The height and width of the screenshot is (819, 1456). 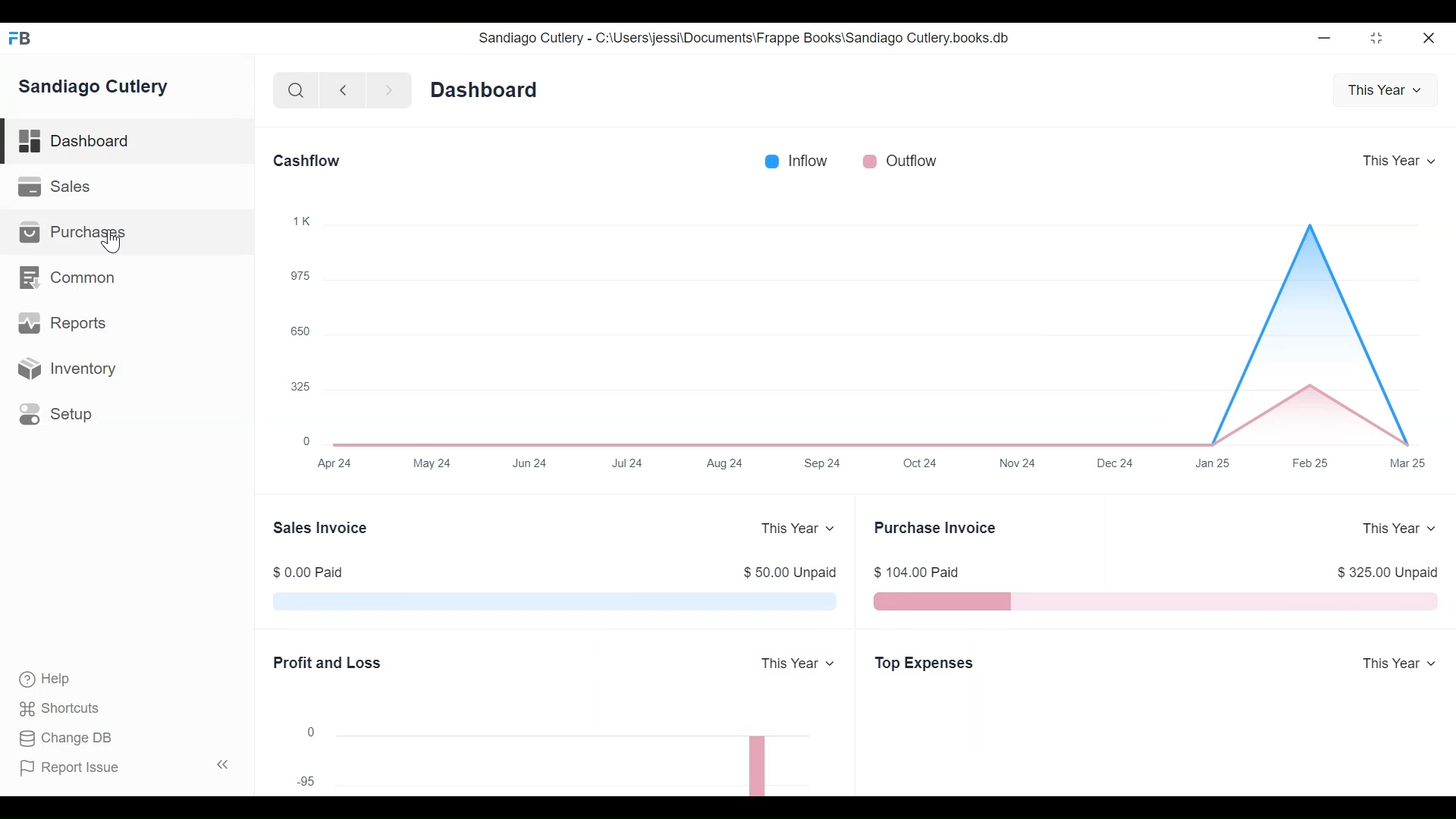 What do you see at coordinates (72, 737) in the screenshot?
I see `Change DB` at bounding box center [72, 737].